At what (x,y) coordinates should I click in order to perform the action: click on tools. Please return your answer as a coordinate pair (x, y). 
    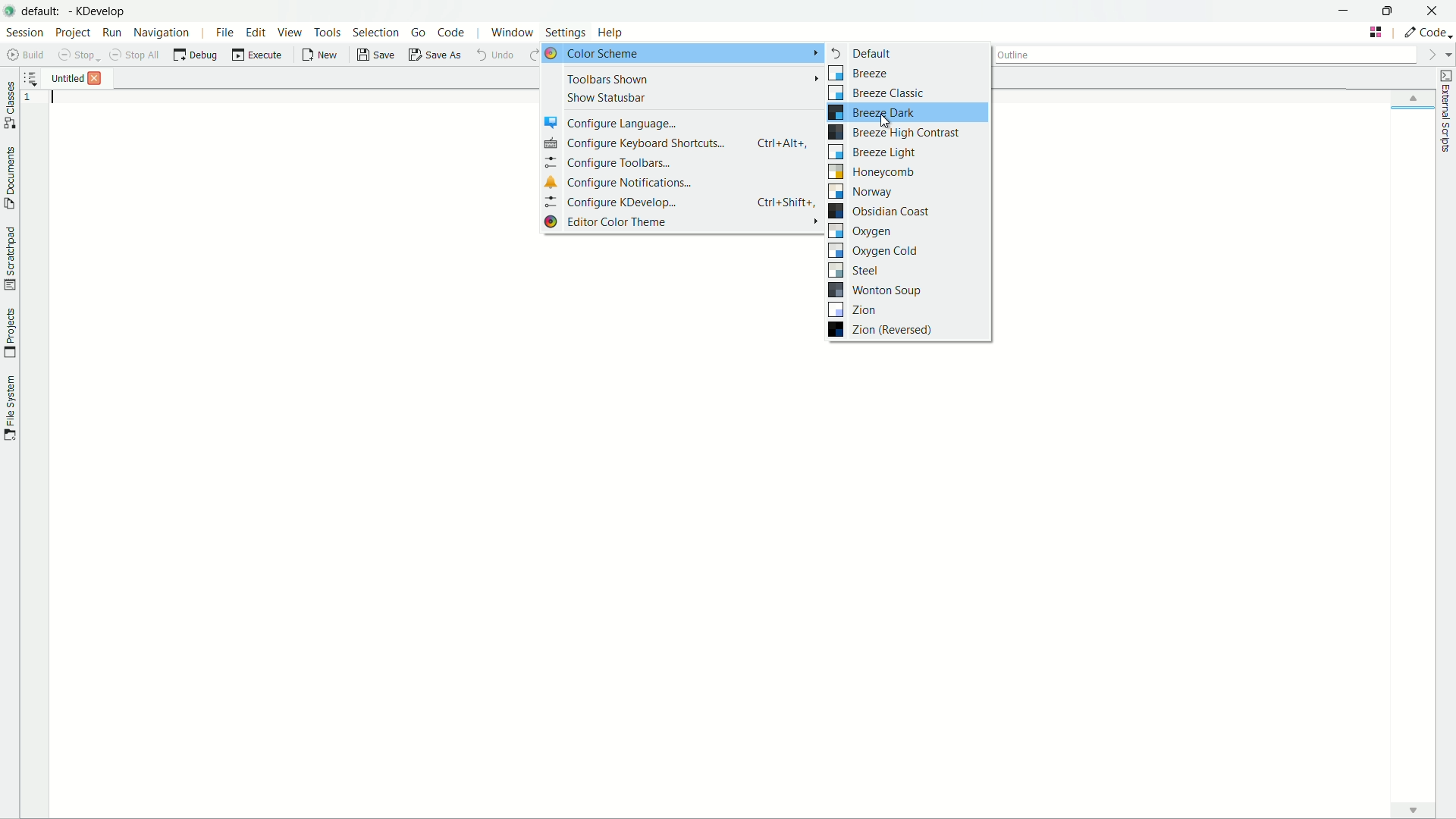
    Looking at the image, I should click on (328, 33).